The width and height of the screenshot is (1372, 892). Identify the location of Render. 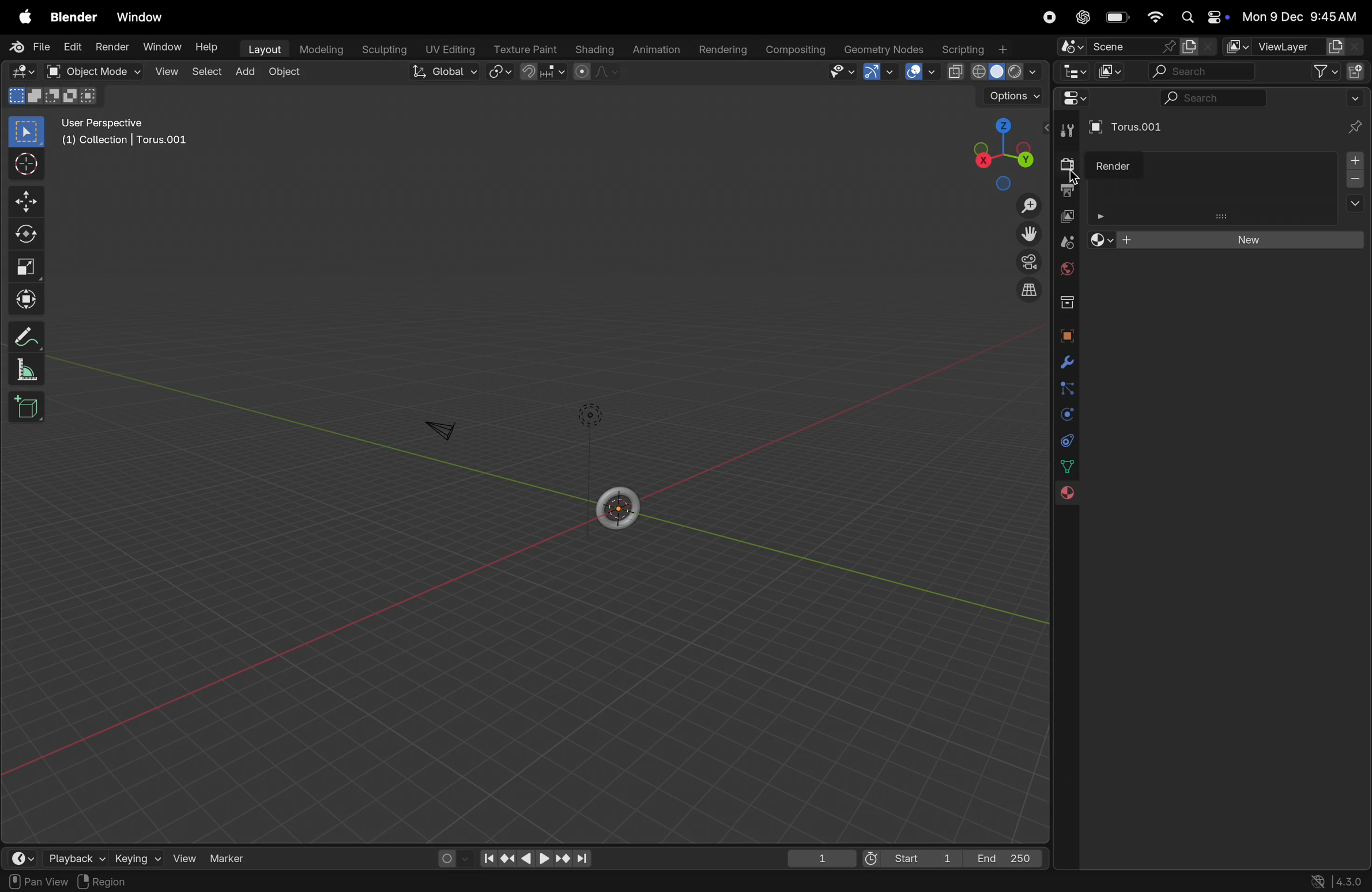
(1111, 164).